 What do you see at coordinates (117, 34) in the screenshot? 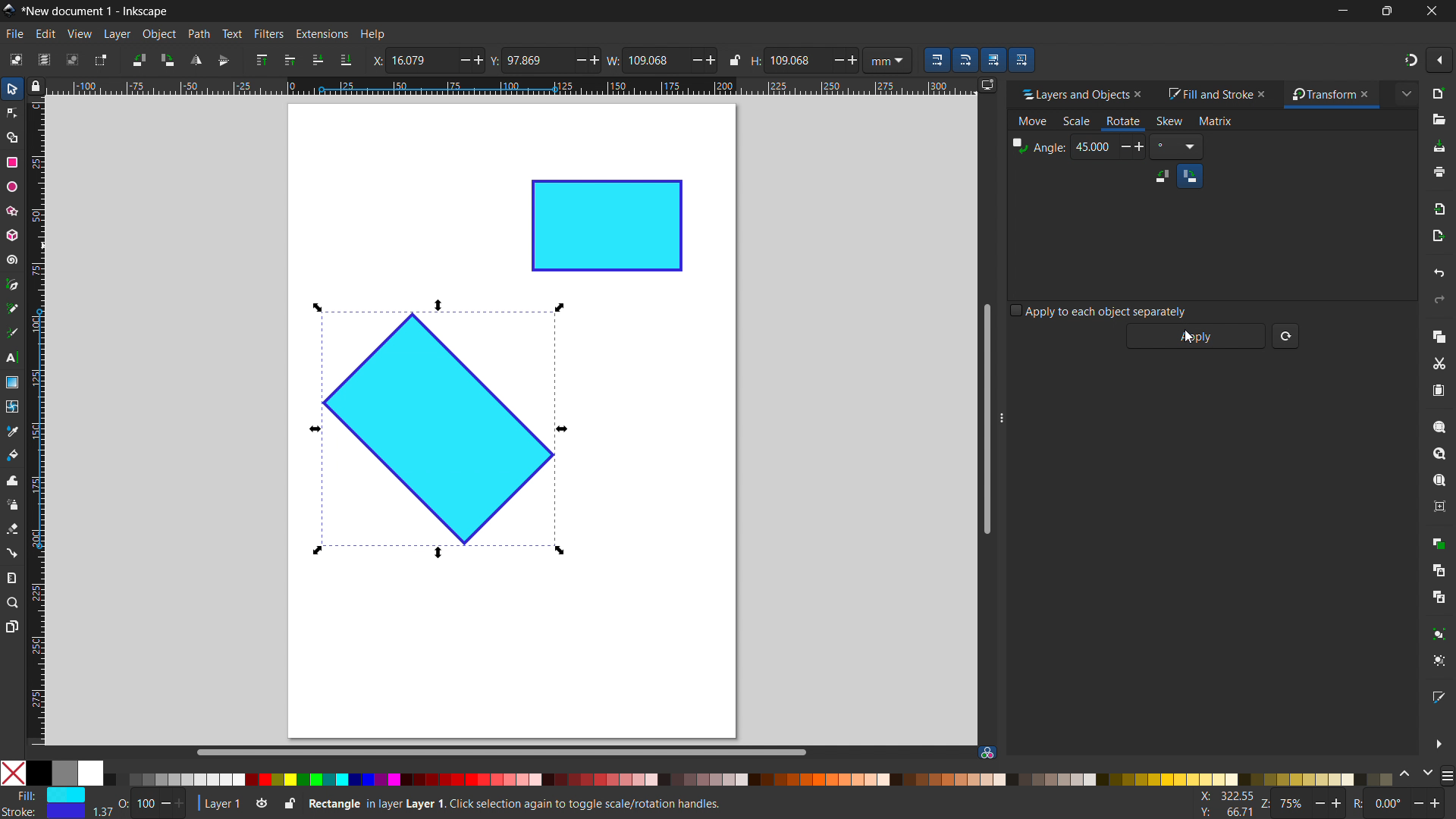
I see `layer` at bounding box center [117, 34].